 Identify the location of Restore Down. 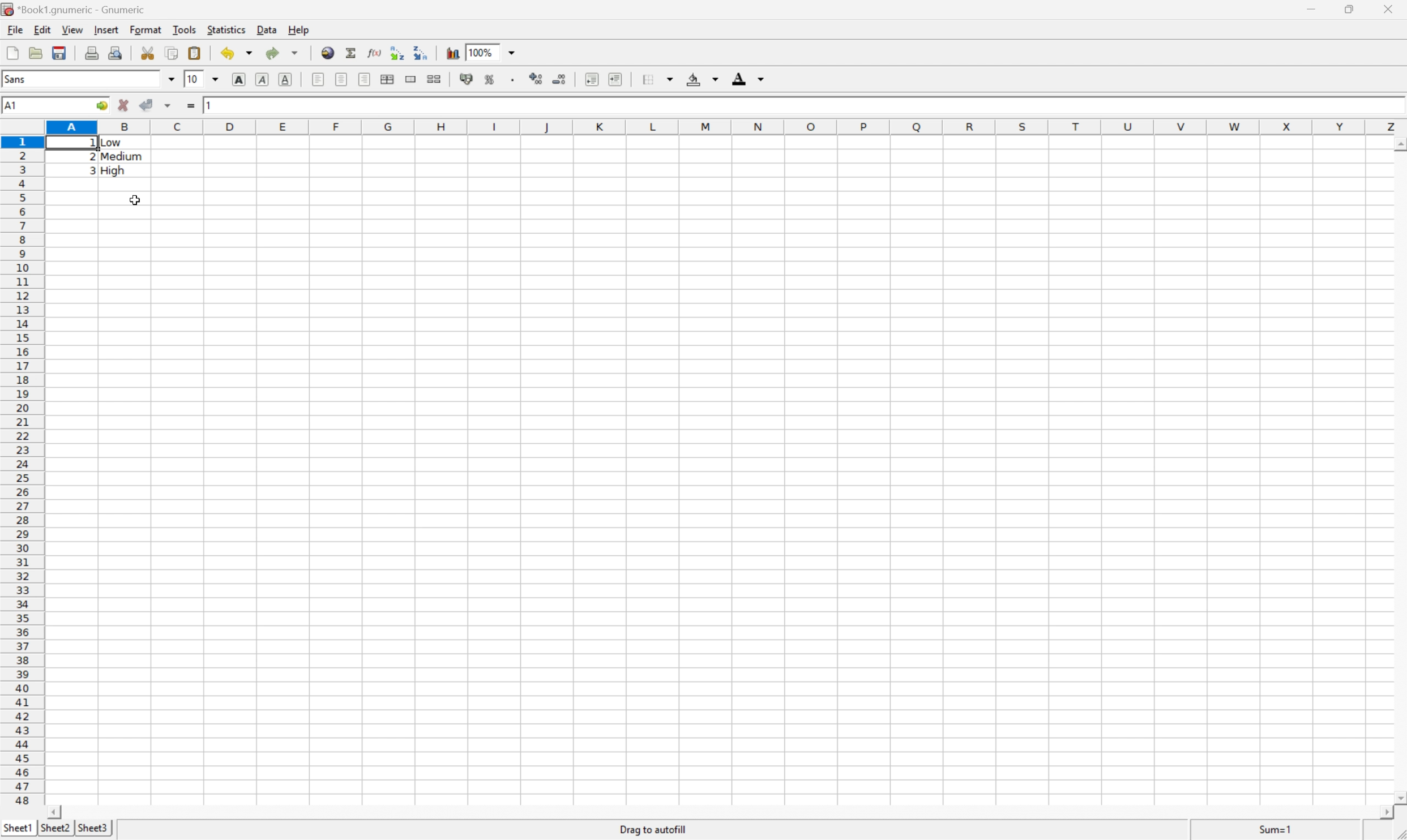
(1349, 9).